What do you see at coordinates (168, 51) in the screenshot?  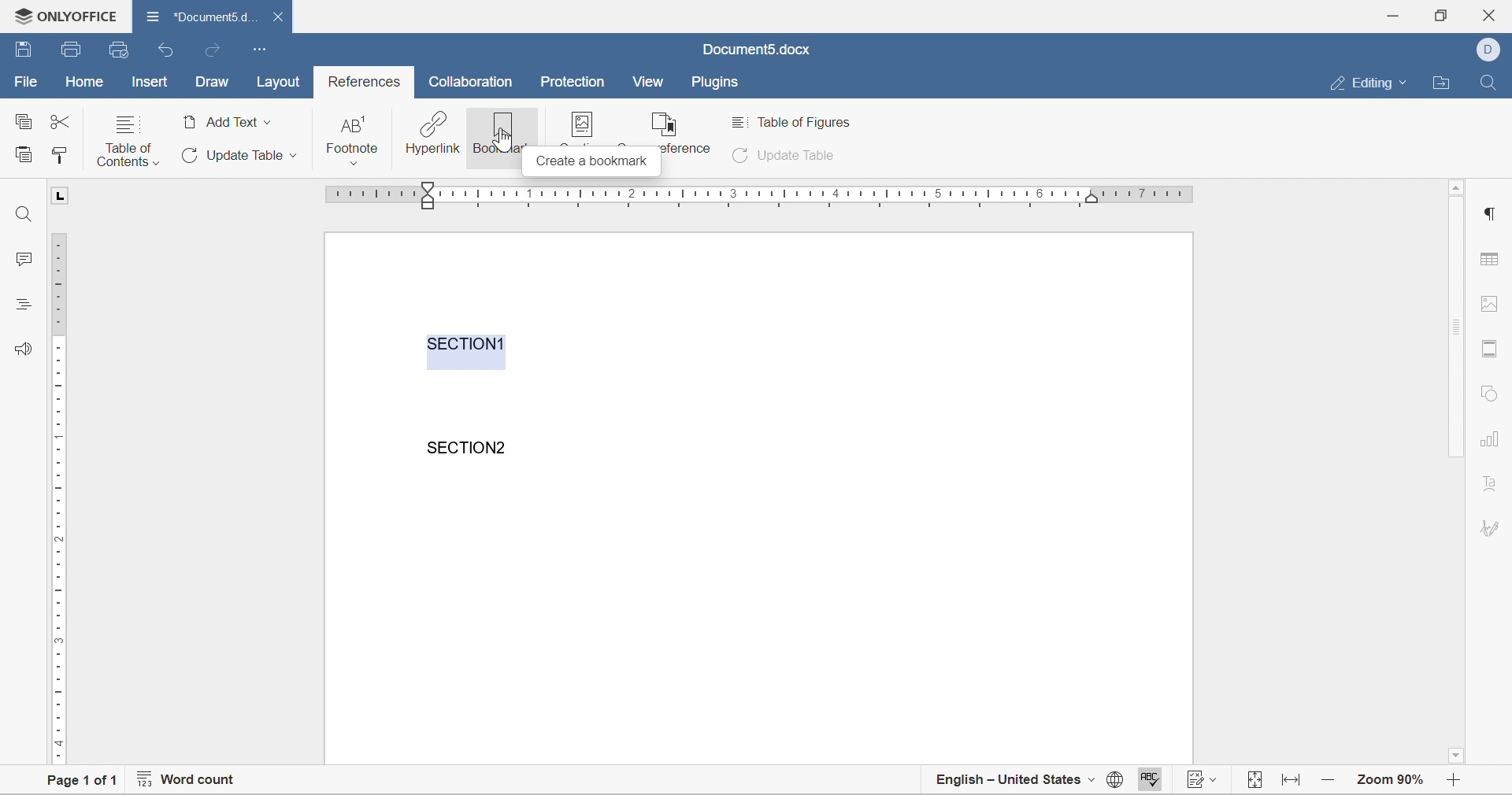 I see `undo` at bounding box center [168, 51].